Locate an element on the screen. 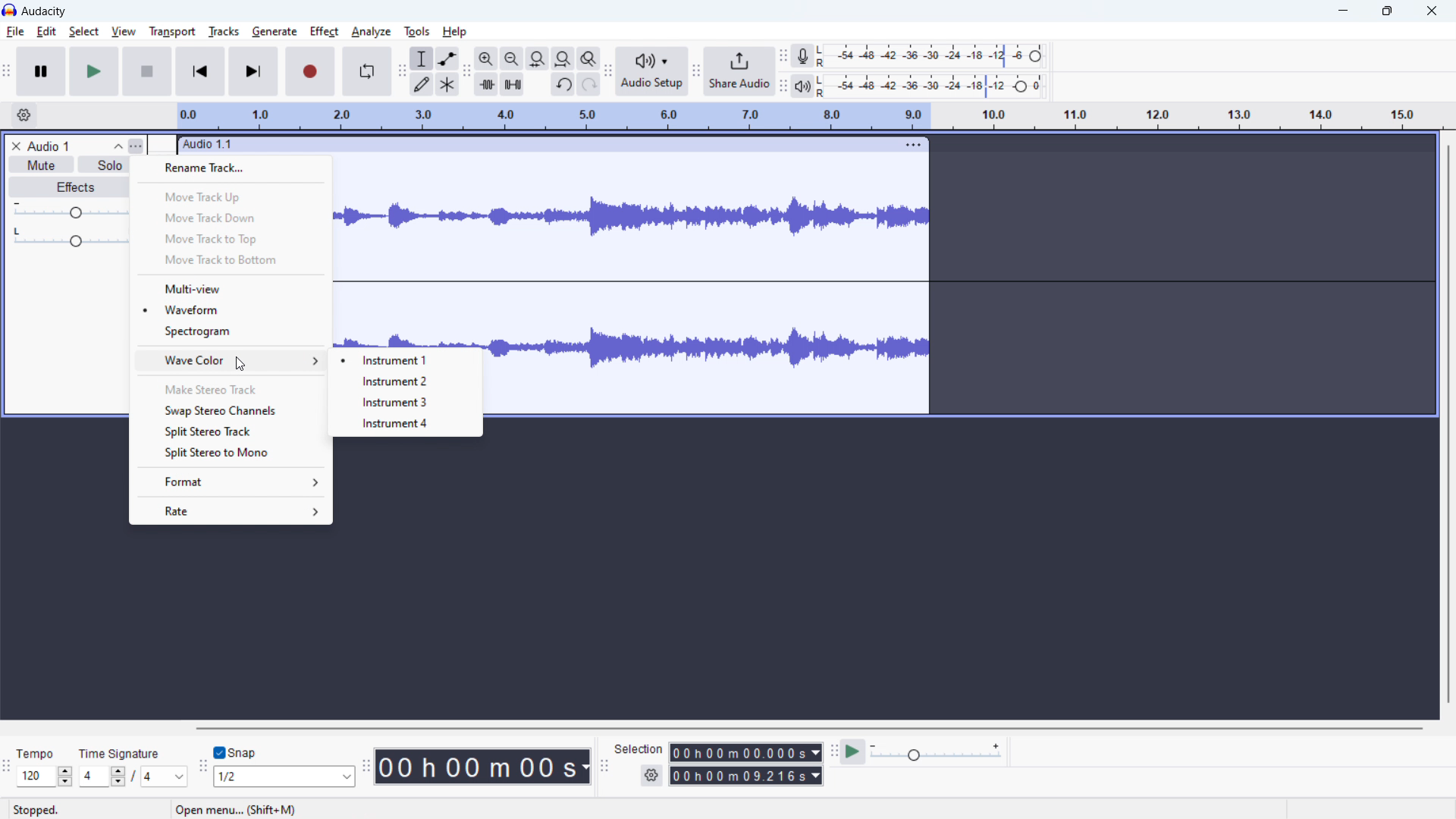  format is located at coordinates (229, 483).